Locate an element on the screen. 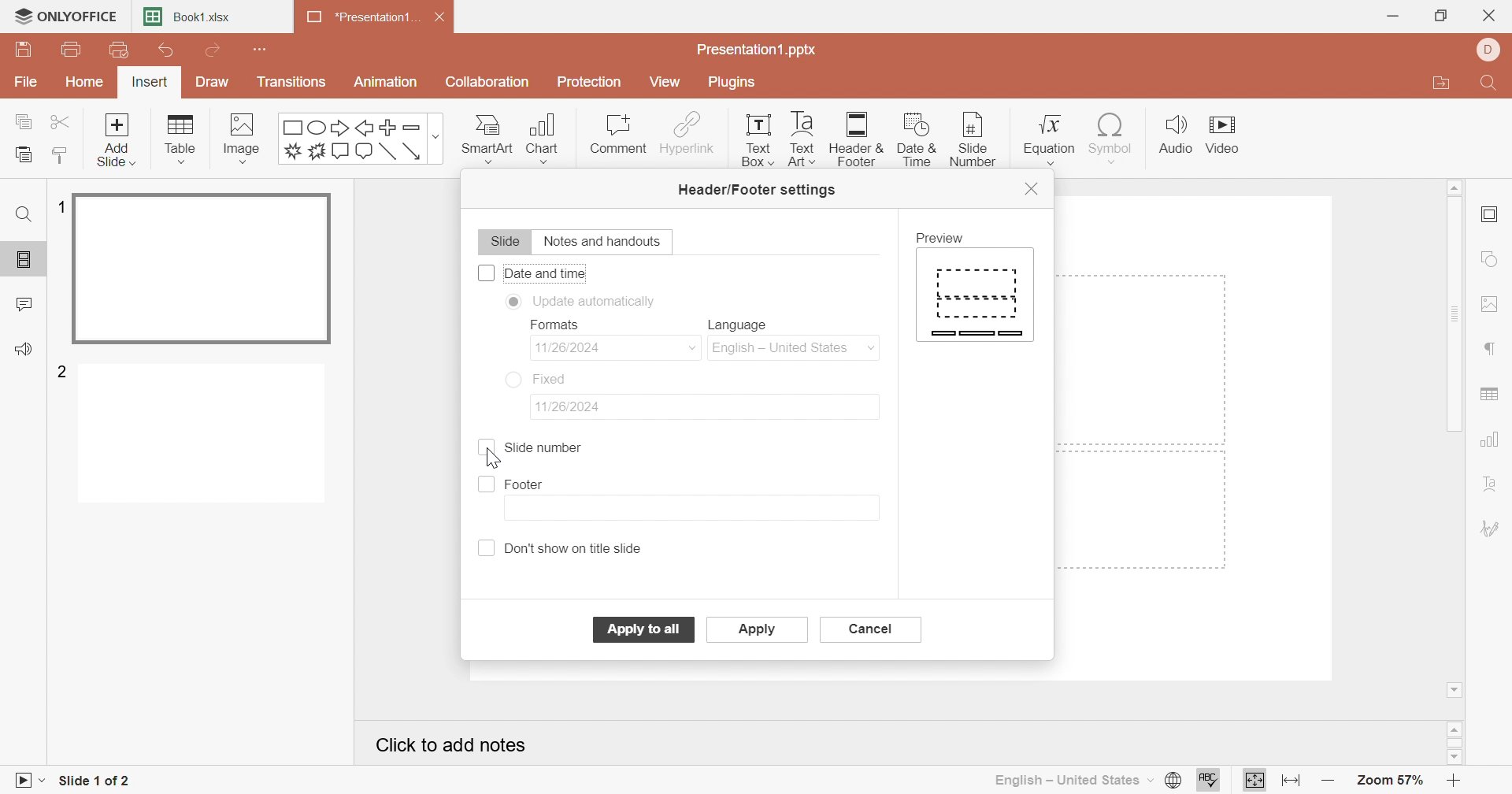  Find is located at coordinates (1486, 86).